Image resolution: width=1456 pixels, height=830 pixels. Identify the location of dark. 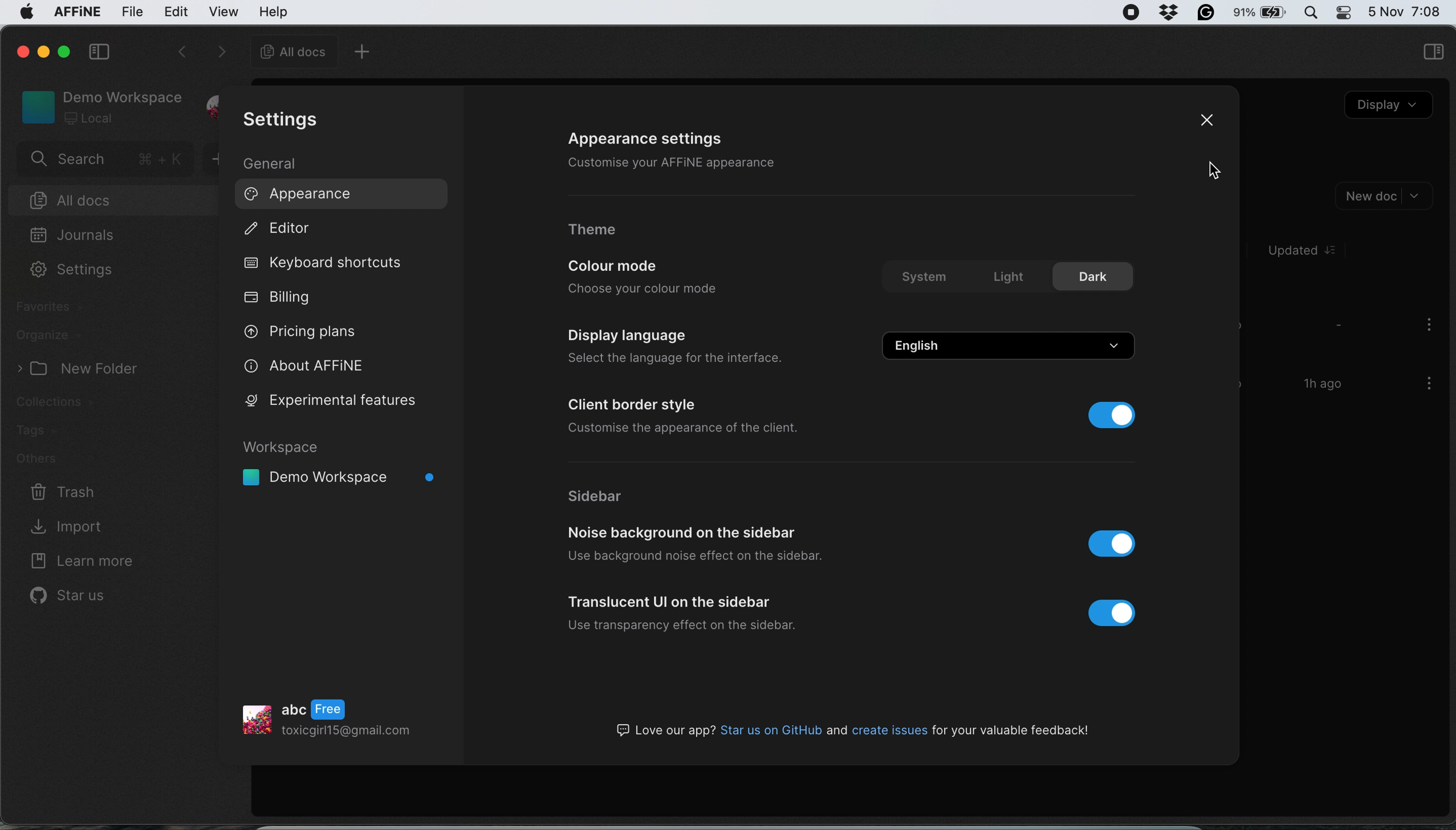
(1094, 275).